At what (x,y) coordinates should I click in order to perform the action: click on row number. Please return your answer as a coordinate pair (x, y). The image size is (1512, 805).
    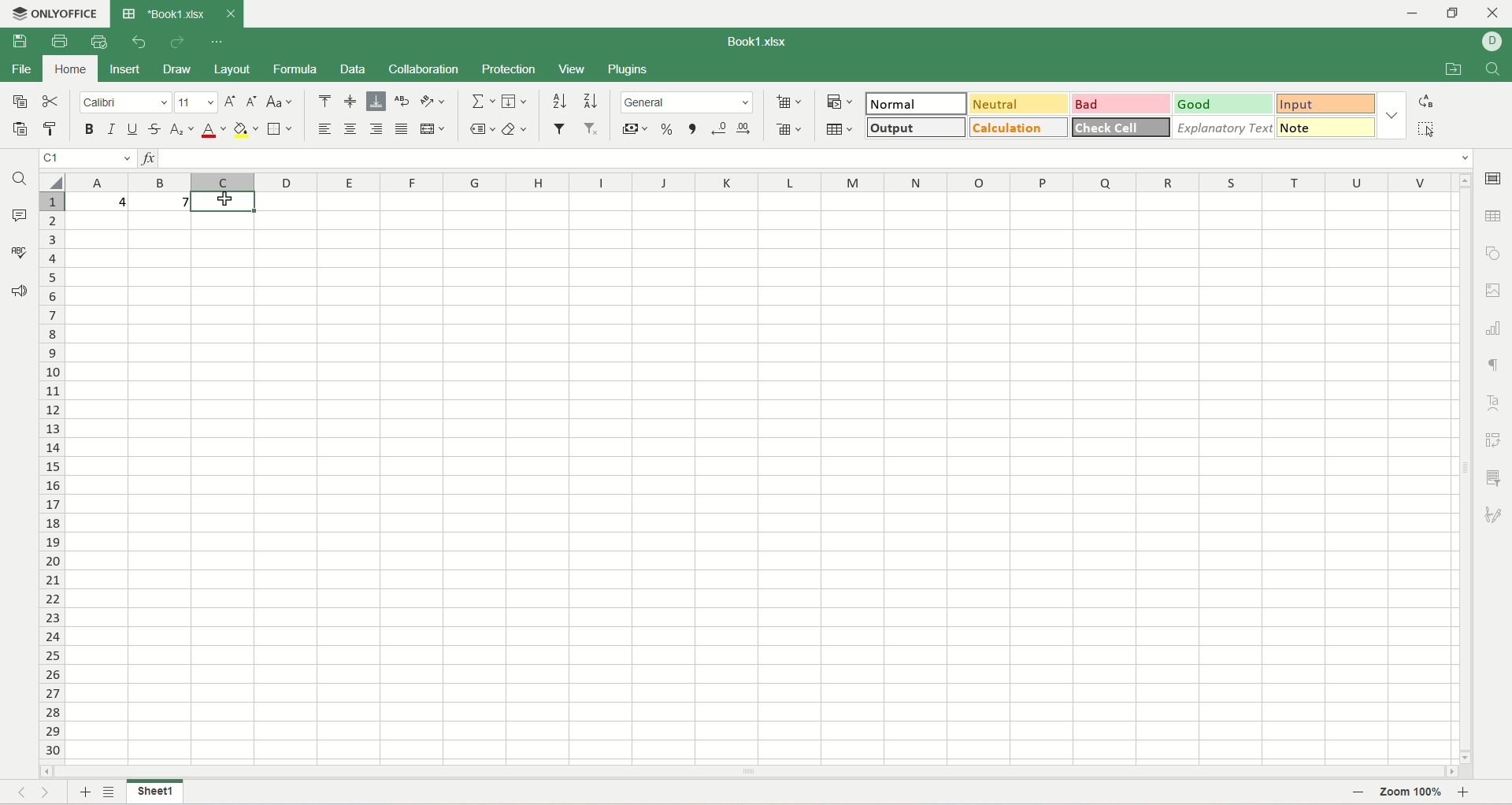
    Looking at the image, I should click on (54, 472).